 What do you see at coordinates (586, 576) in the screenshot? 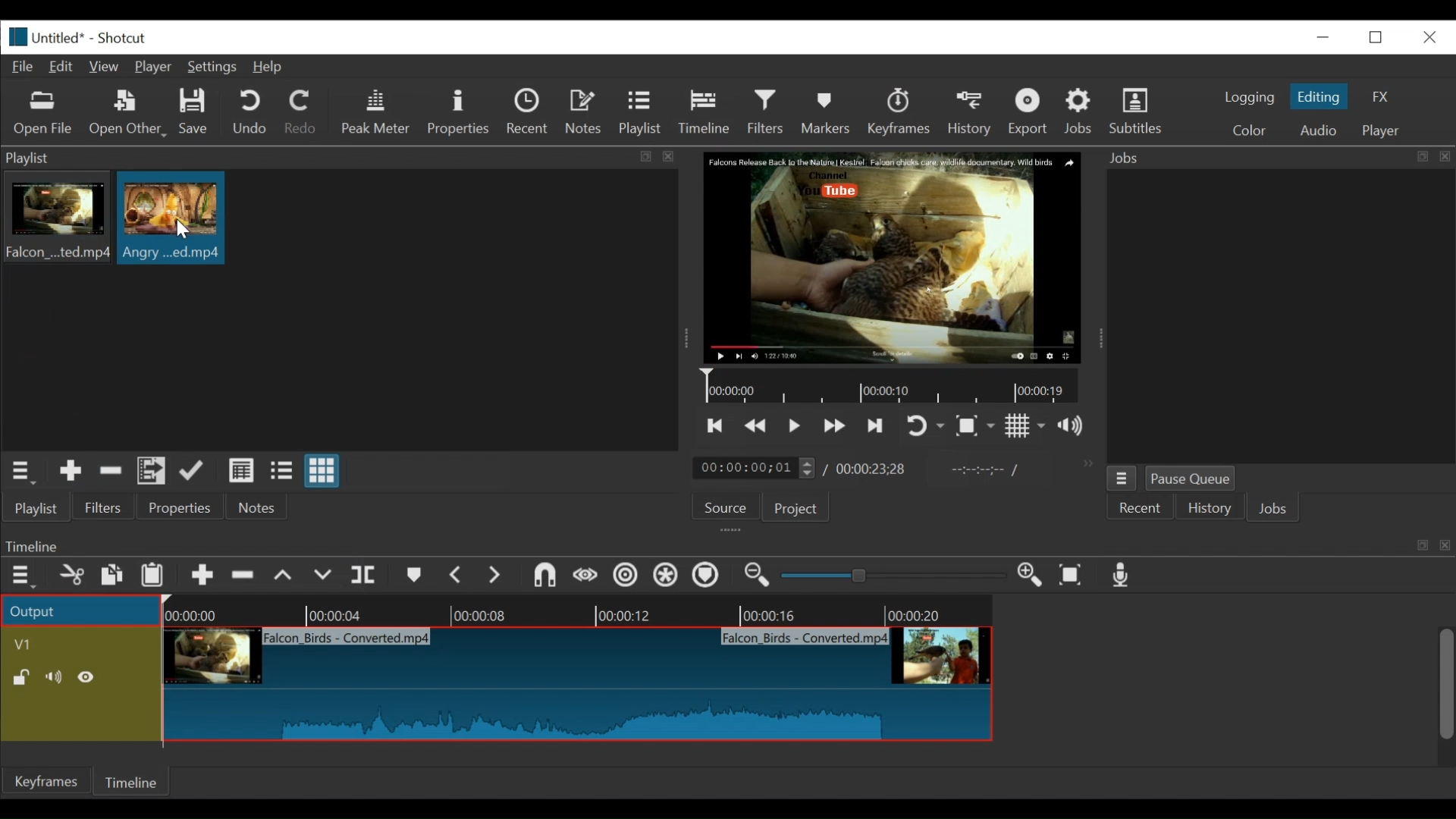
I see `scrub while dragging` at bounding box center [586, 576].